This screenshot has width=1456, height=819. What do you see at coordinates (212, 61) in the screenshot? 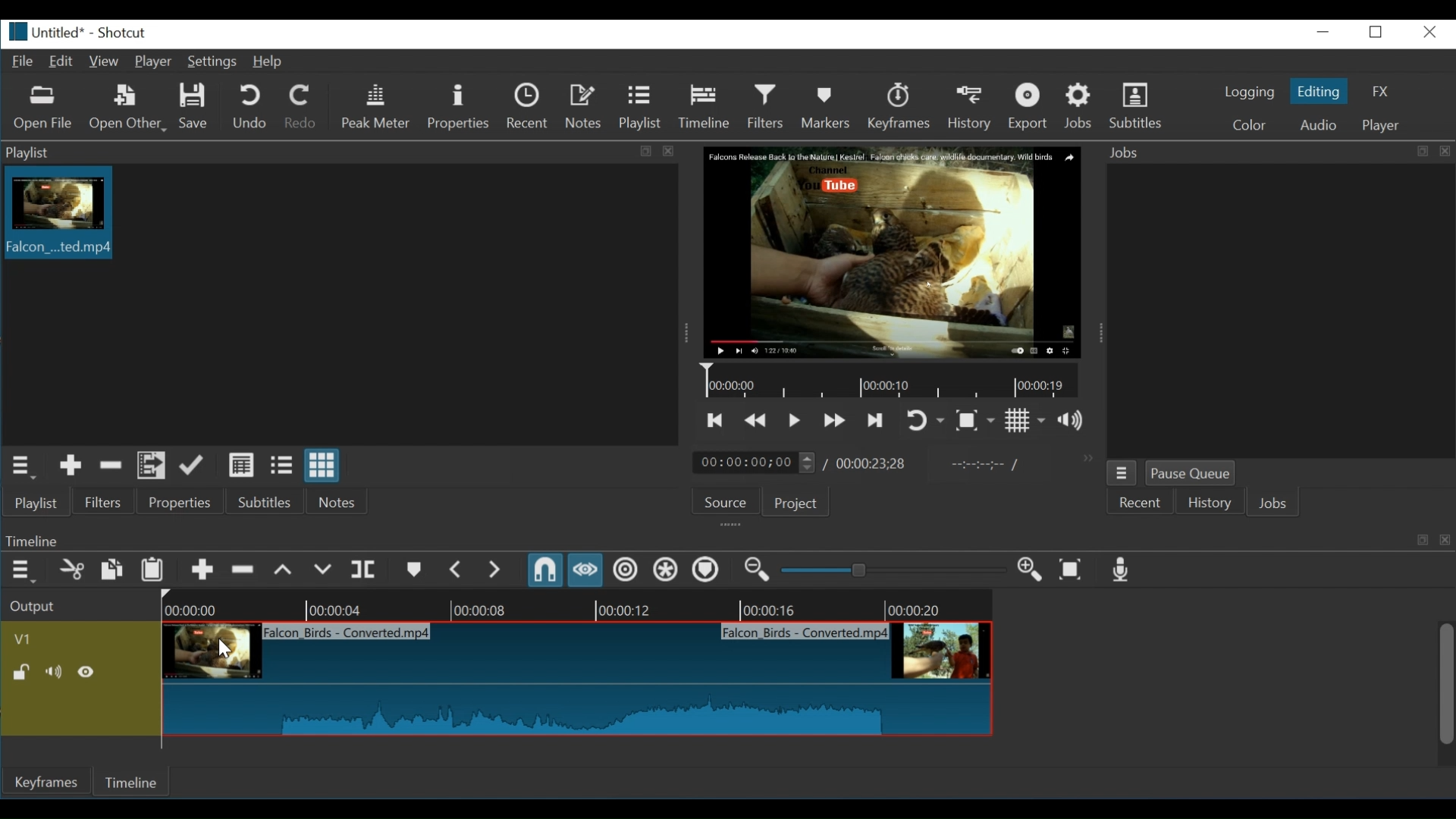
I see `Settings` at bounding box center [212, 61].